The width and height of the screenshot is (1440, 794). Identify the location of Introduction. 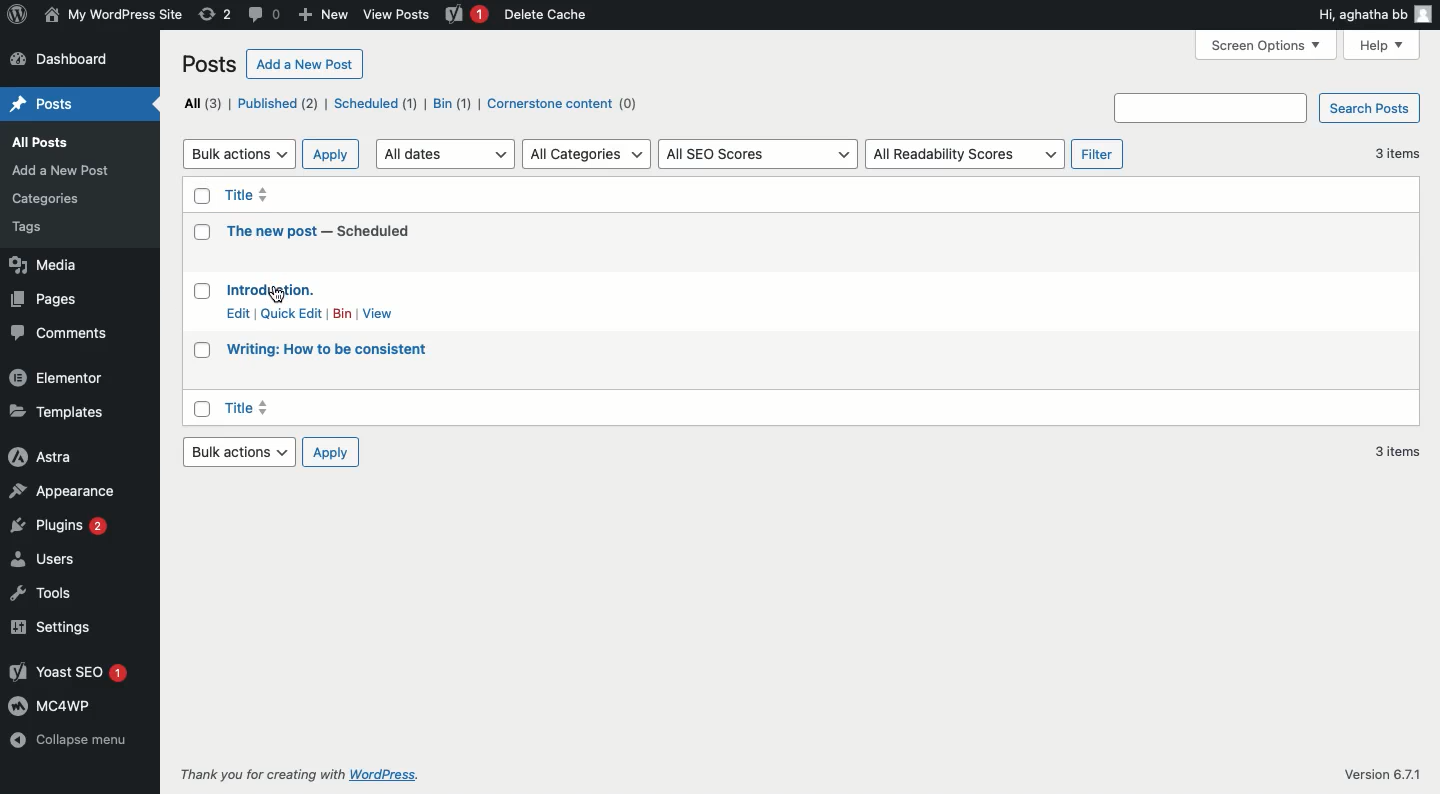
(270, 289).